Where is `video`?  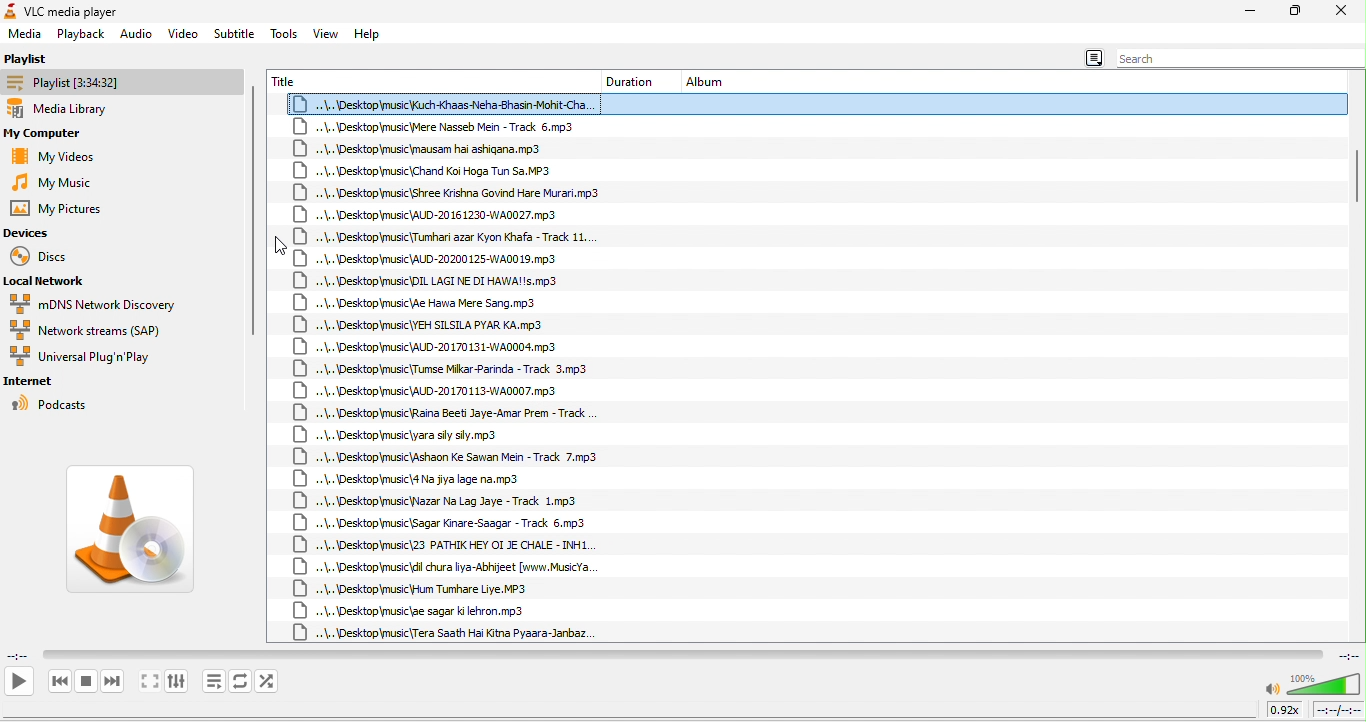 video is located at coordinates (183, 32).